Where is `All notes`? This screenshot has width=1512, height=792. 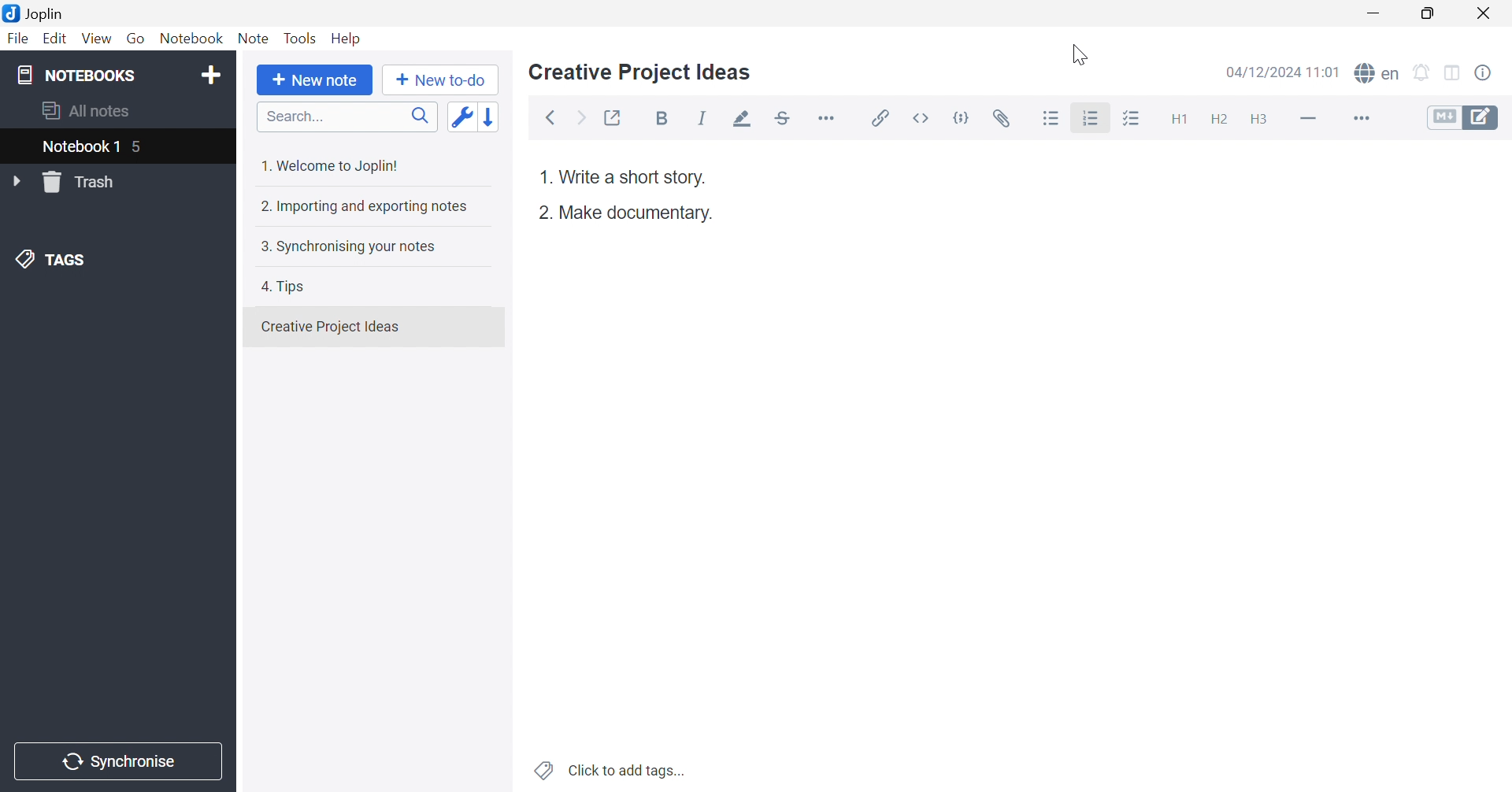
All notes is located at coordinates (83, 110).